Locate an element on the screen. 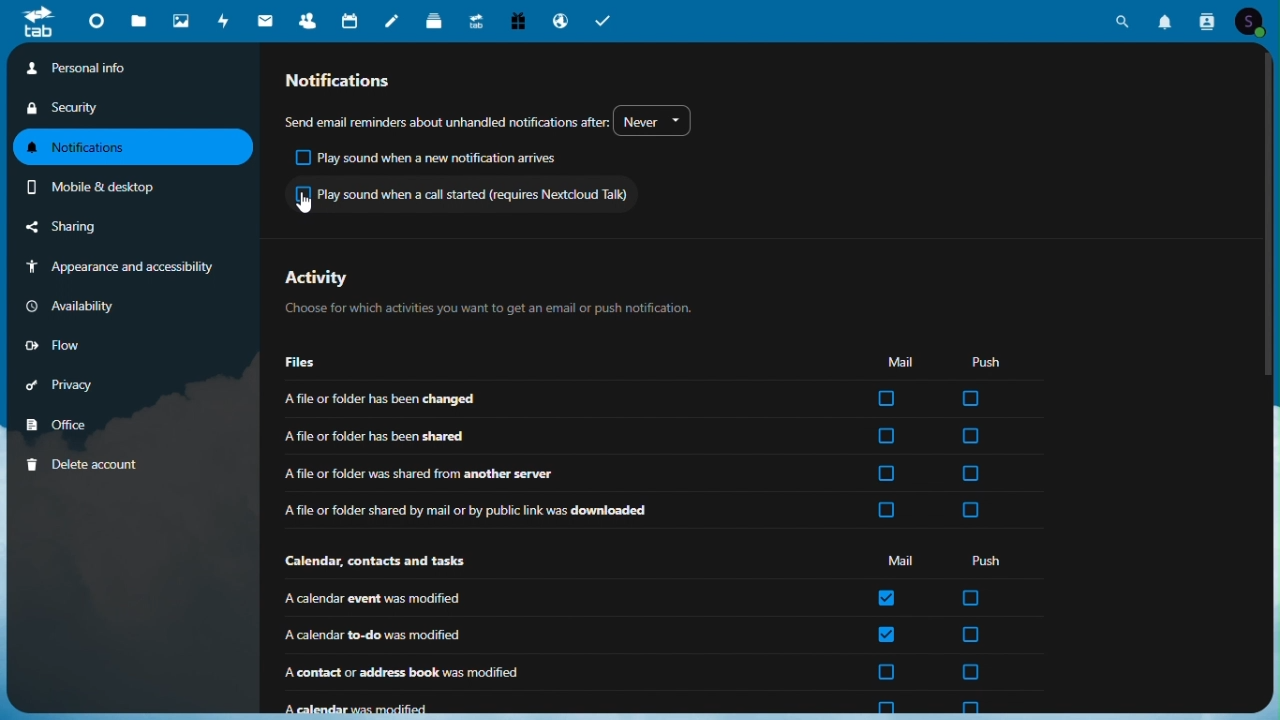  Account icon is located at coordinates (1252, 20).